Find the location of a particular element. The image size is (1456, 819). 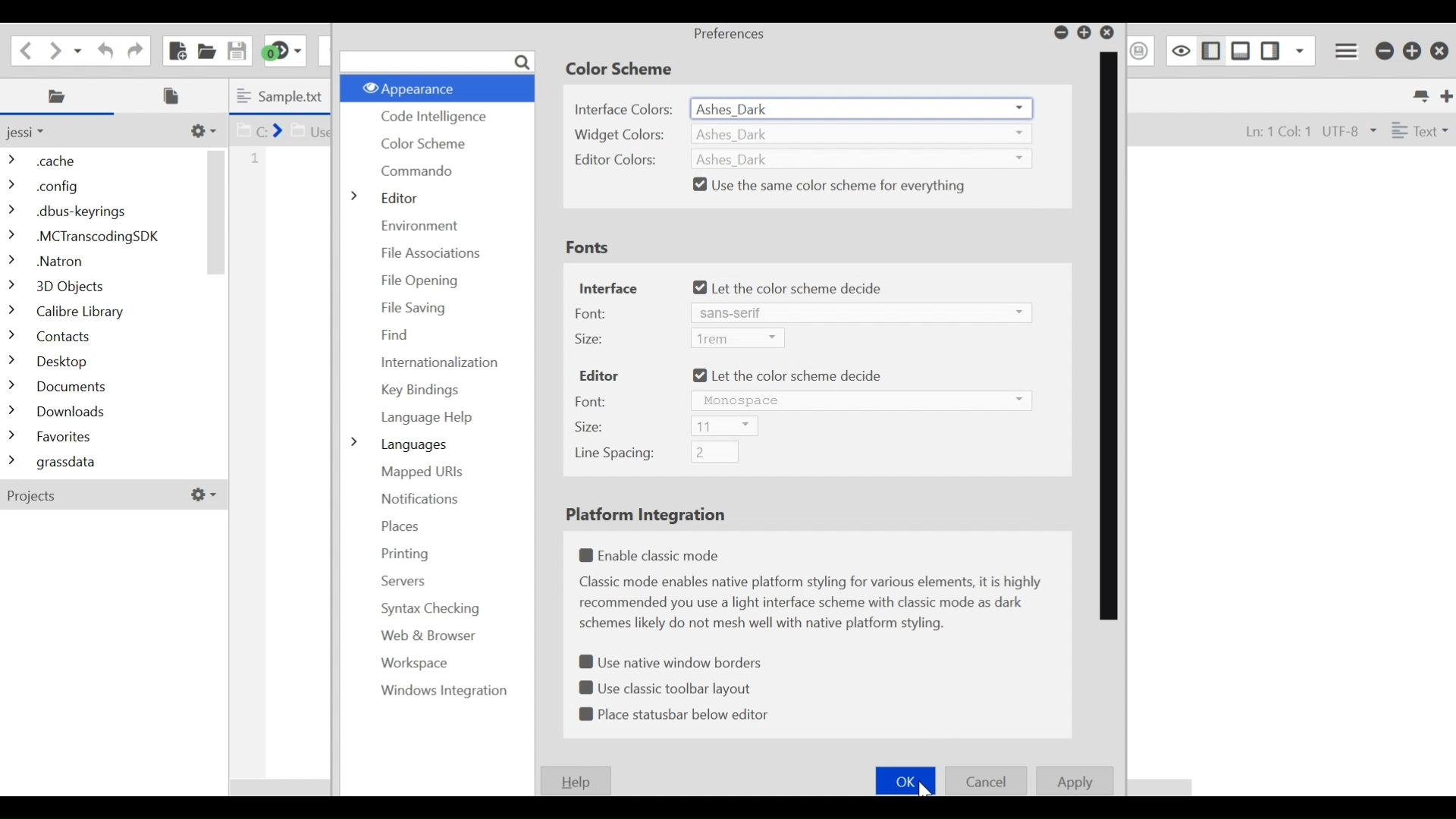

Application menu is located at coordinates (1348, 49).